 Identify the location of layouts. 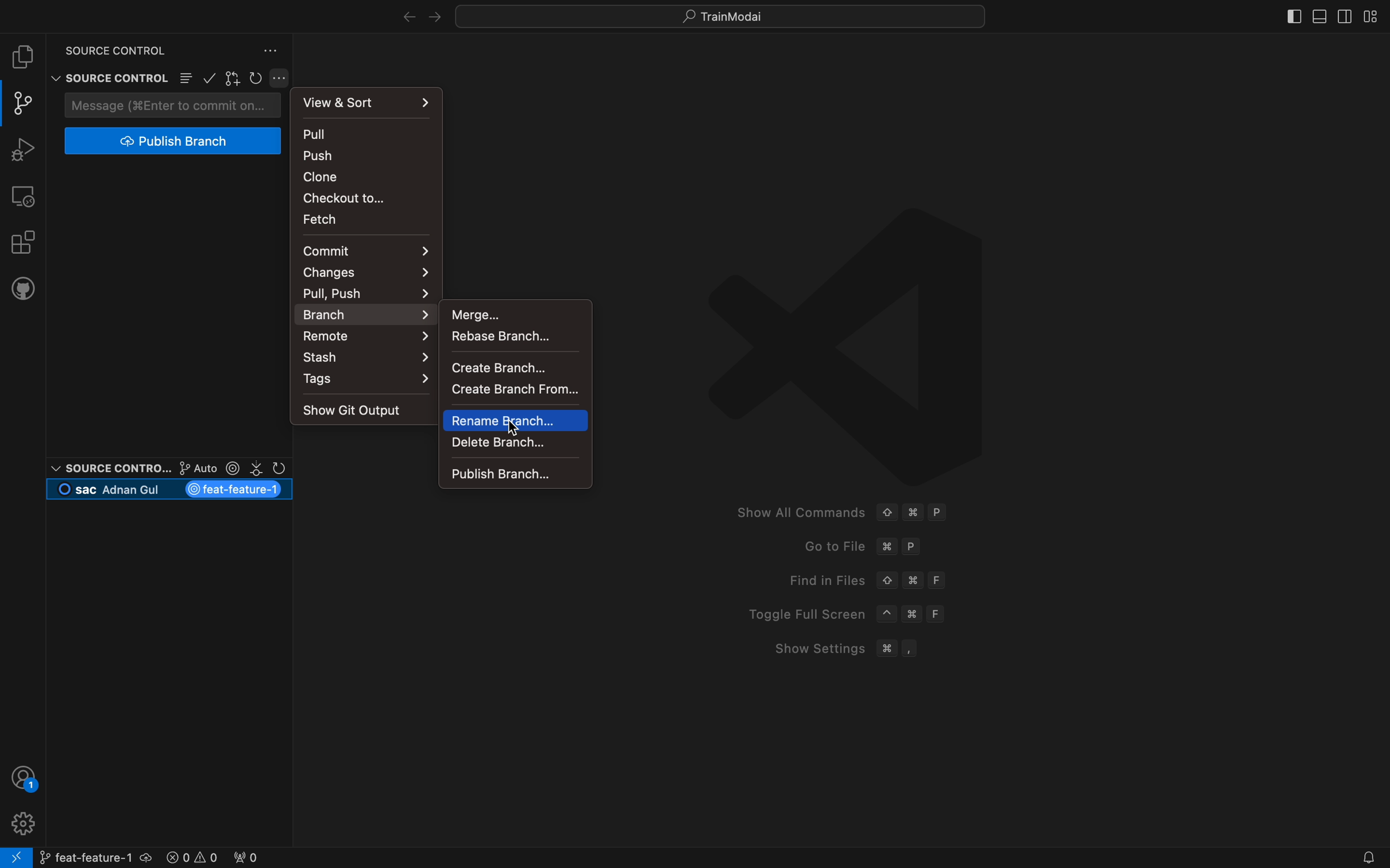
(1326, 15).